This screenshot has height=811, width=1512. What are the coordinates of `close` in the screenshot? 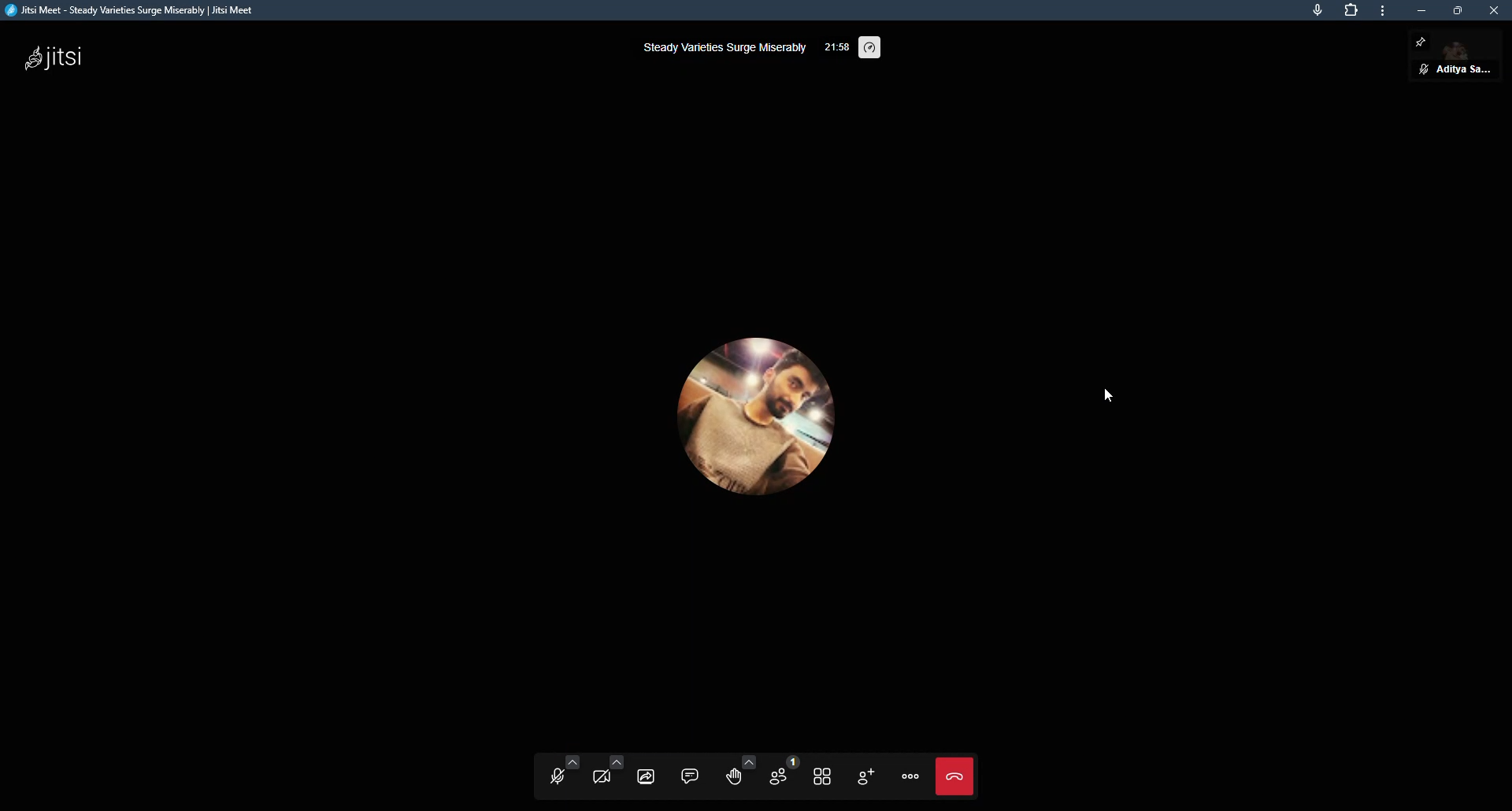 It's located at (1494, 12).